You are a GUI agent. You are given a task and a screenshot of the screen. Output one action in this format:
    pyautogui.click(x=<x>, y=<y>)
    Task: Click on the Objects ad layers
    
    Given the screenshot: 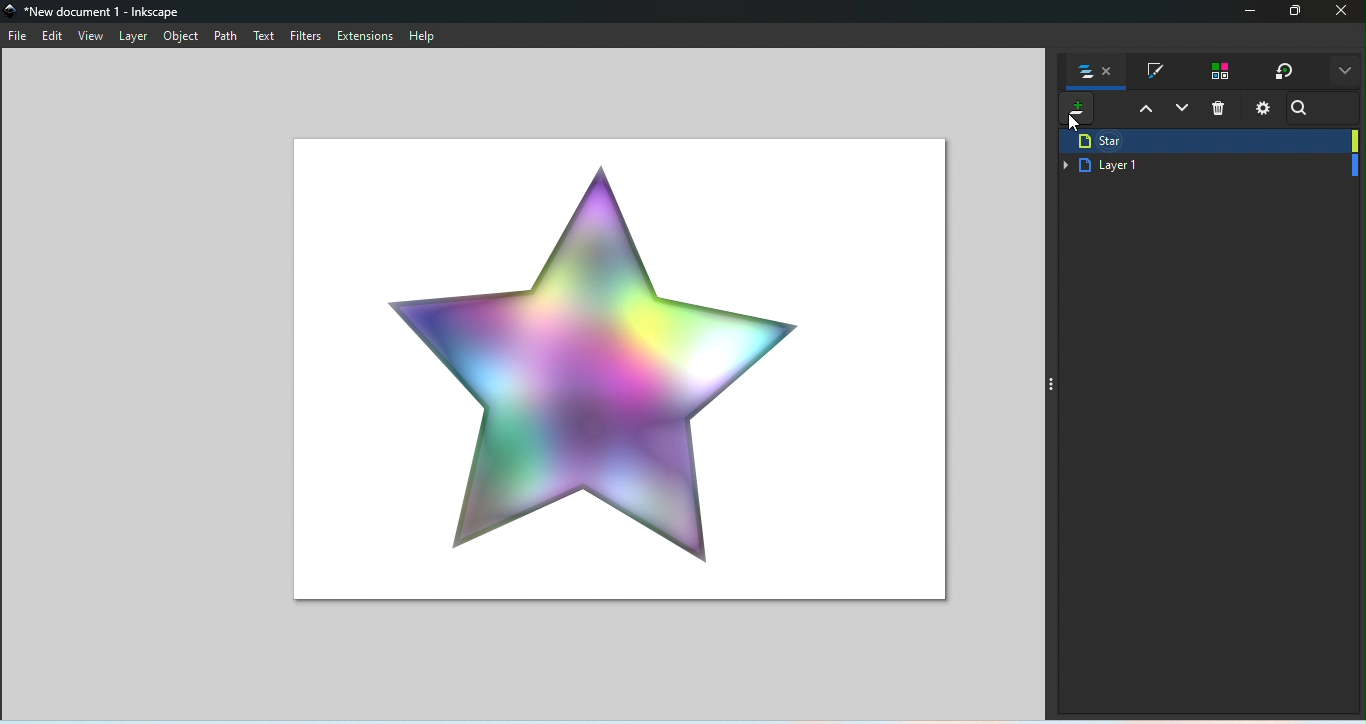 What is the action you would take?
    pyautogui.click(x=1098, y=74)
    